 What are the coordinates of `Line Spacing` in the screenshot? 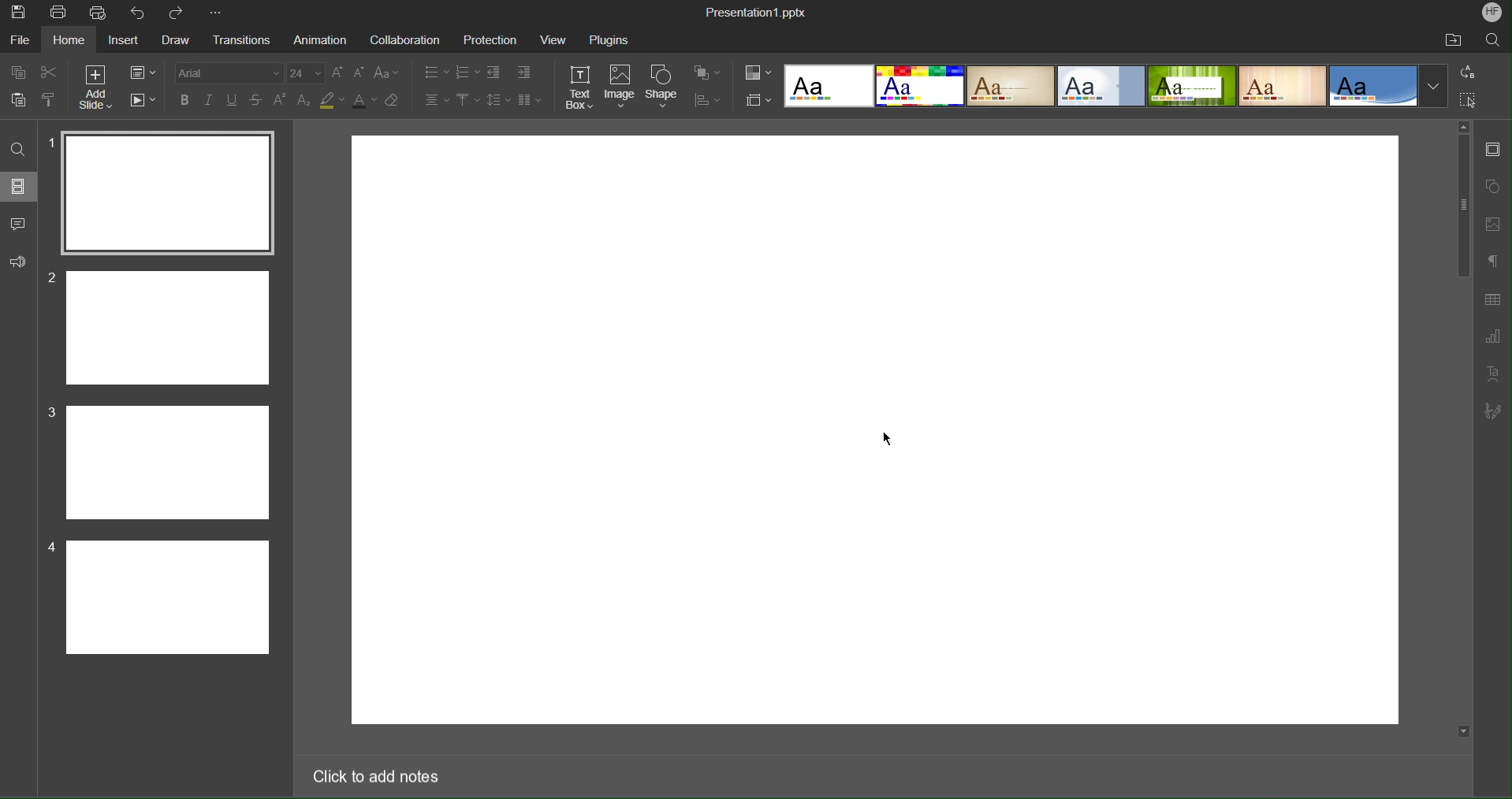 It's located at (496, 98).